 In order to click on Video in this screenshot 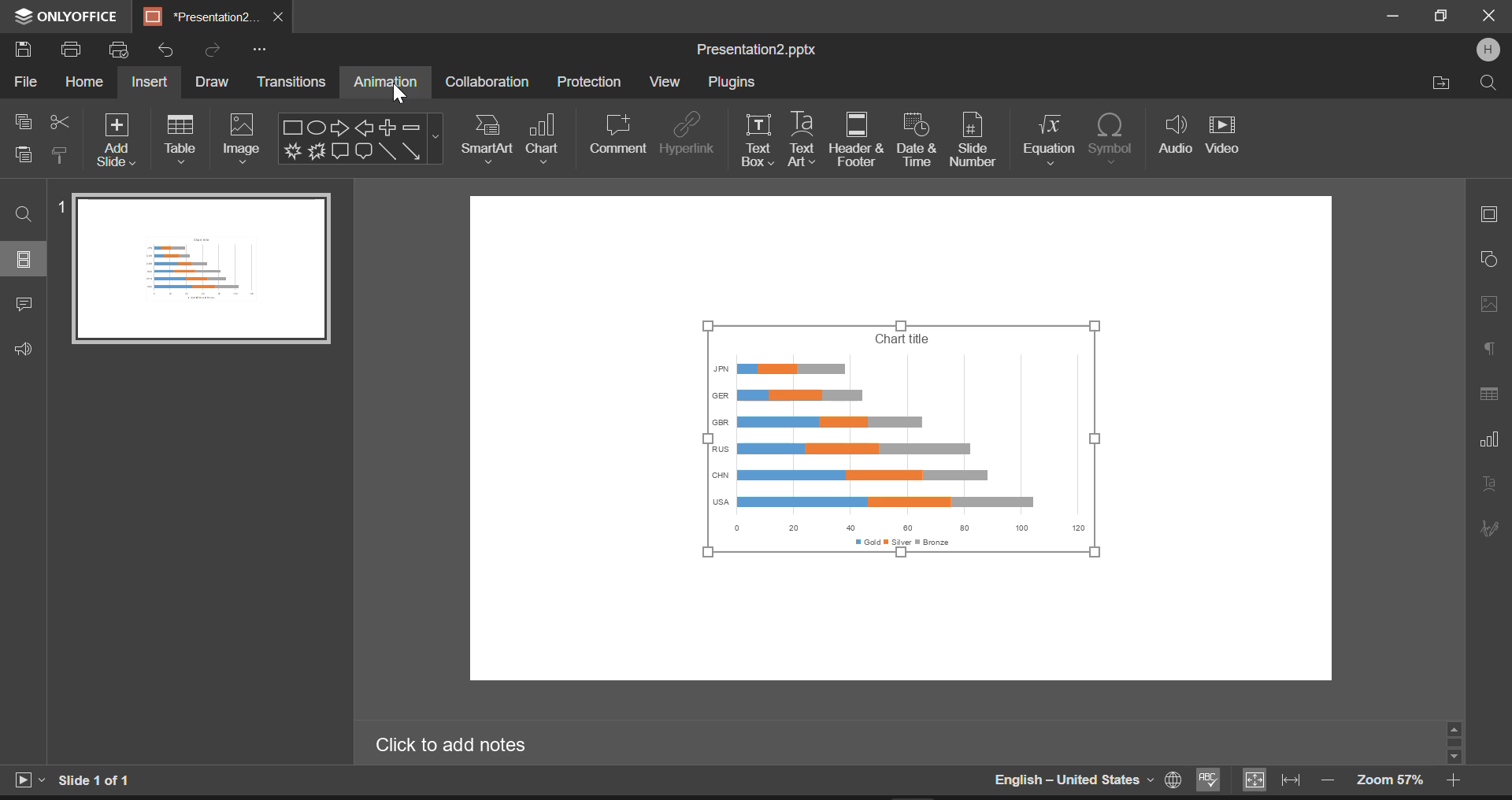, I will do `click(1223, 133)`.